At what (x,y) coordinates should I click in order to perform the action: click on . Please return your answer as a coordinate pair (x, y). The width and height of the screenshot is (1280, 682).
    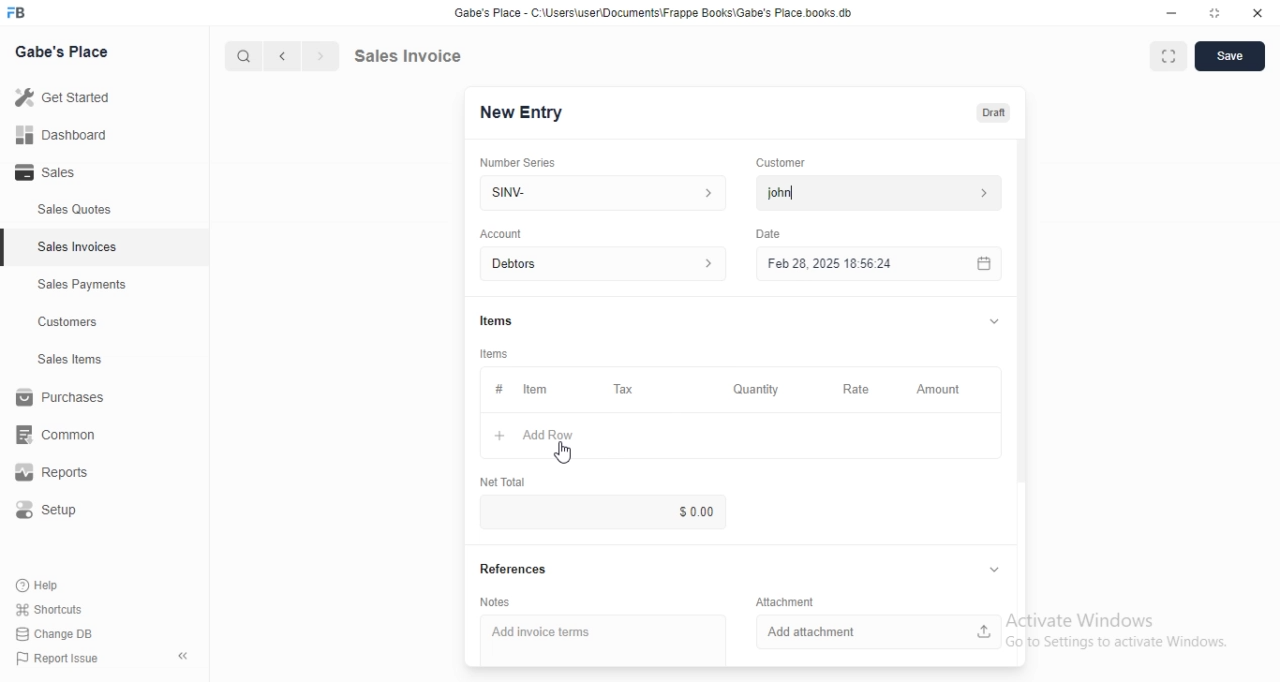
    Looking at the image, I should click on (499, 320).